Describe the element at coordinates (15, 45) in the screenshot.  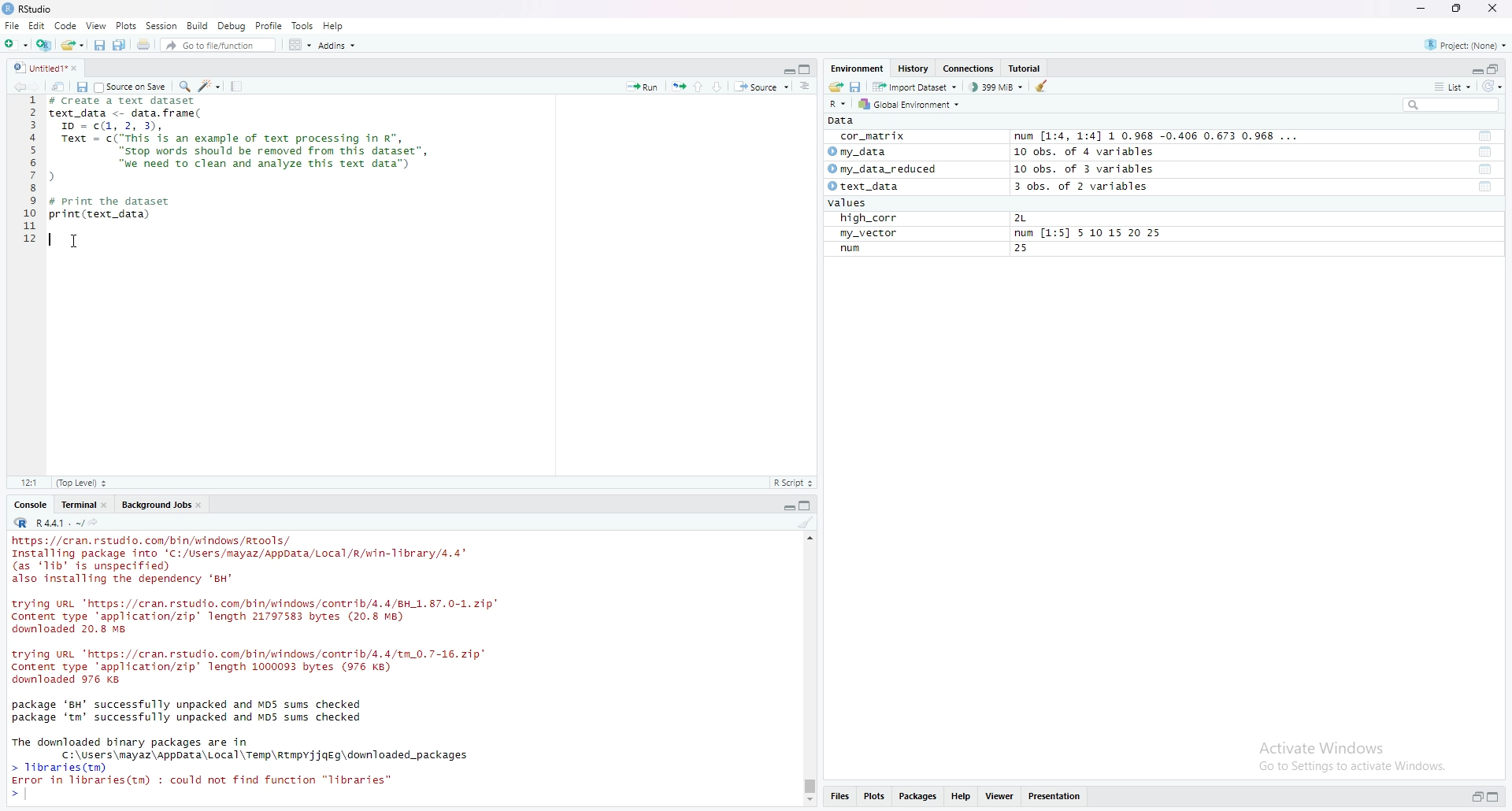
I see `new file` at that location.